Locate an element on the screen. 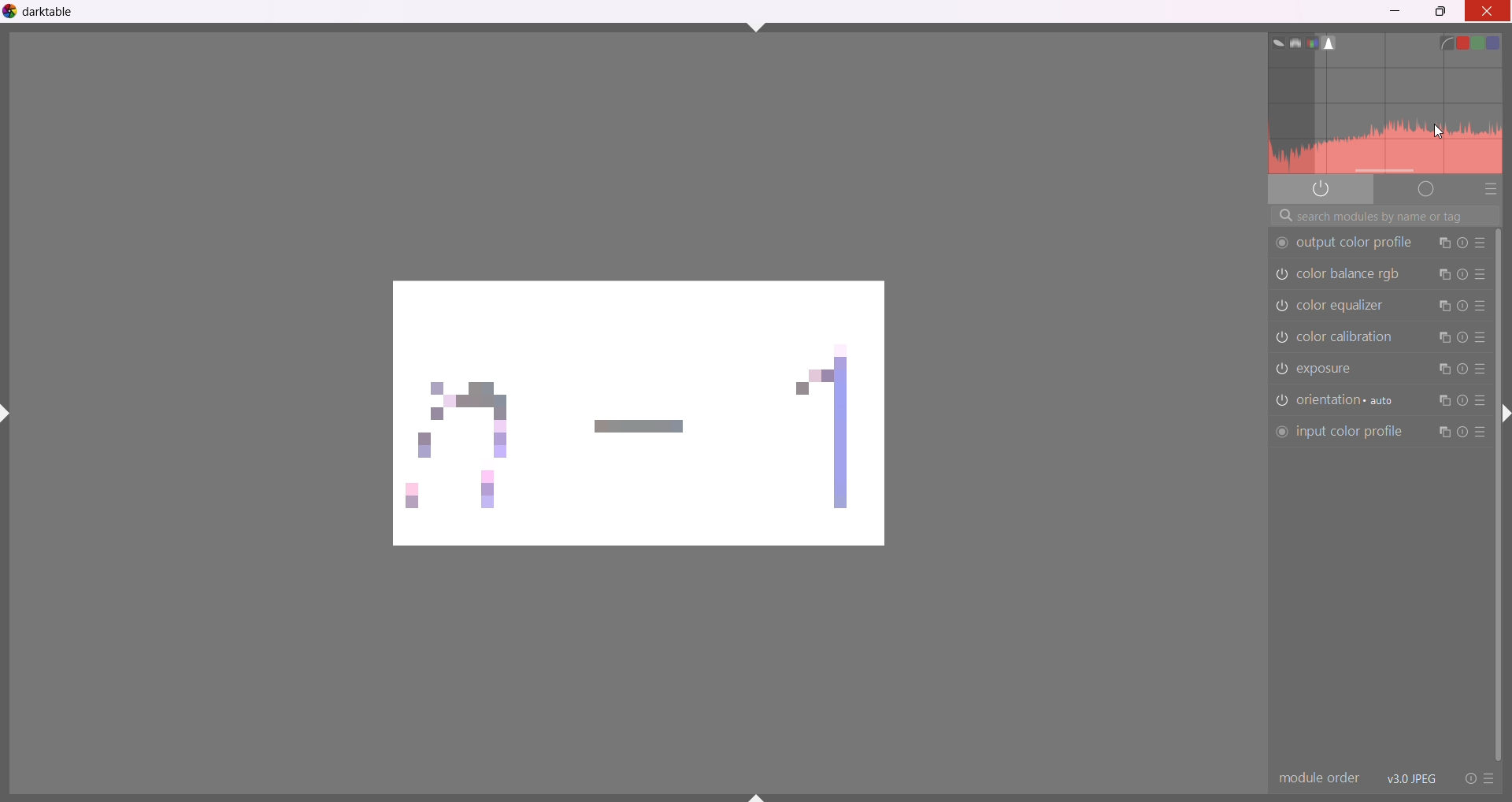 The image size is (1512, 802). color balance switched off is located at coordinates (1280, 338).